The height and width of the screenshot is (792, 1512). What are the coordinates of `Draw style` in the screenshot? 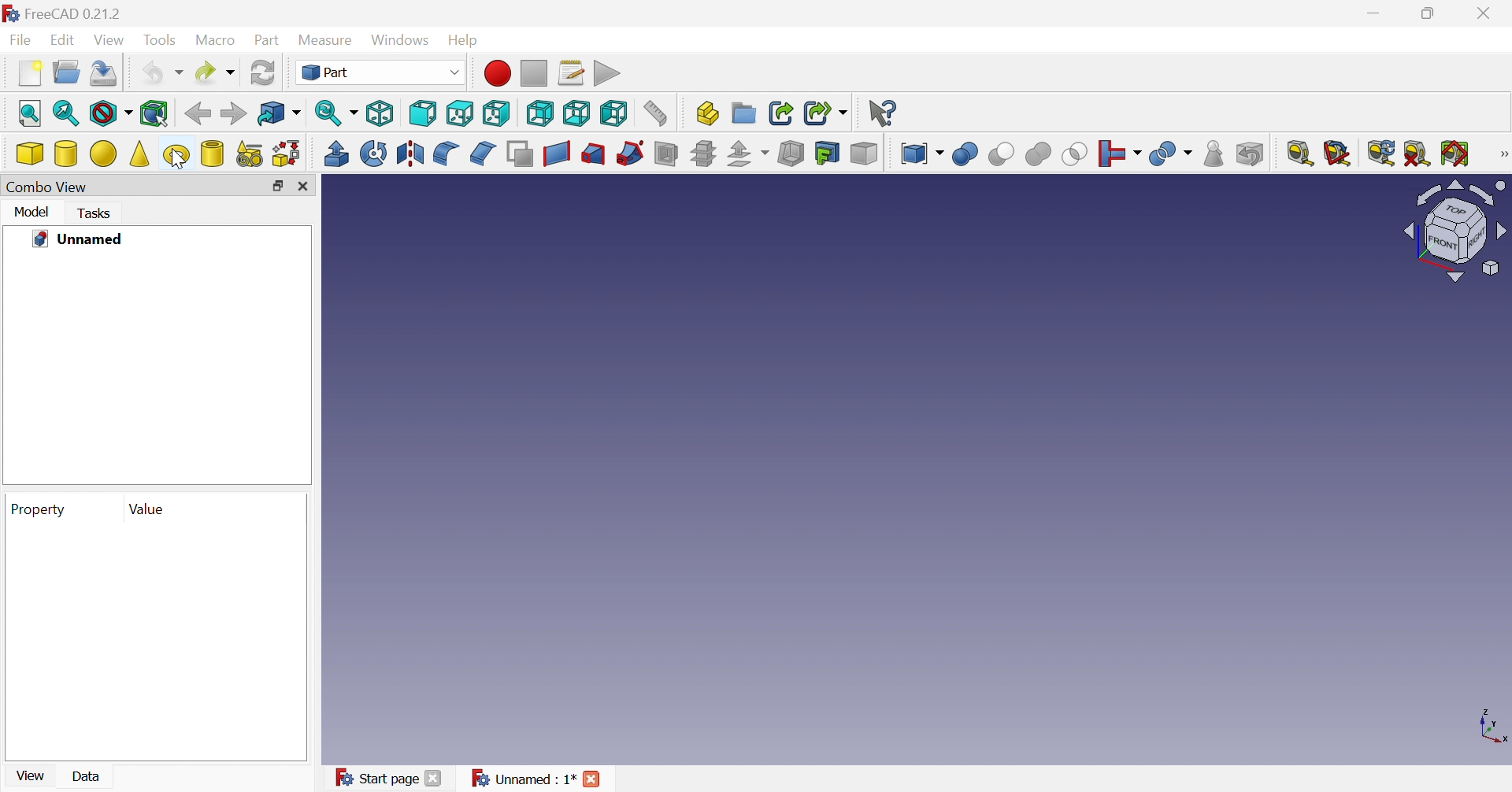 It's located at (113, 116).